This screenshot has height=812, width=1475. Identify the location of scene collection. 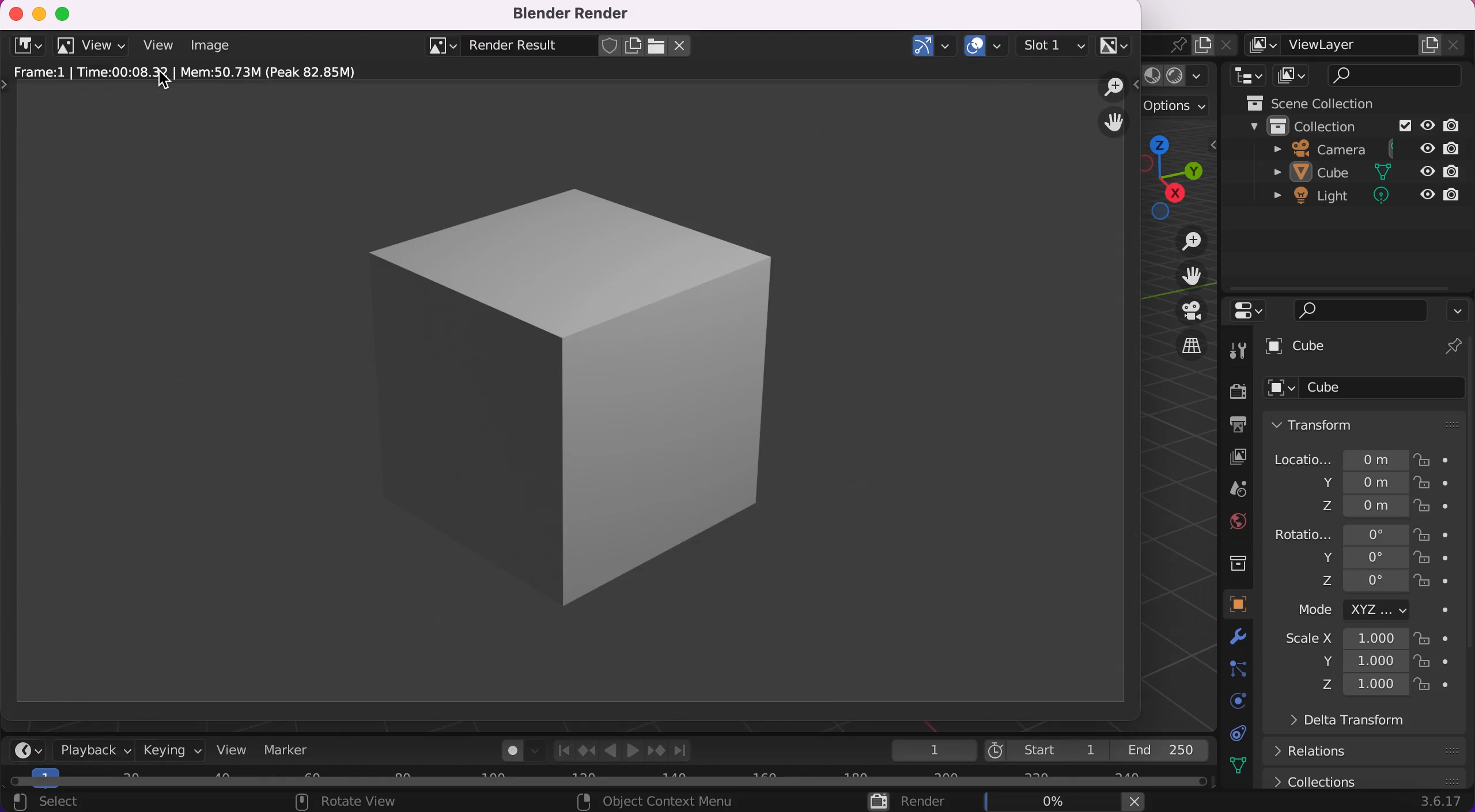
(1337, 104).